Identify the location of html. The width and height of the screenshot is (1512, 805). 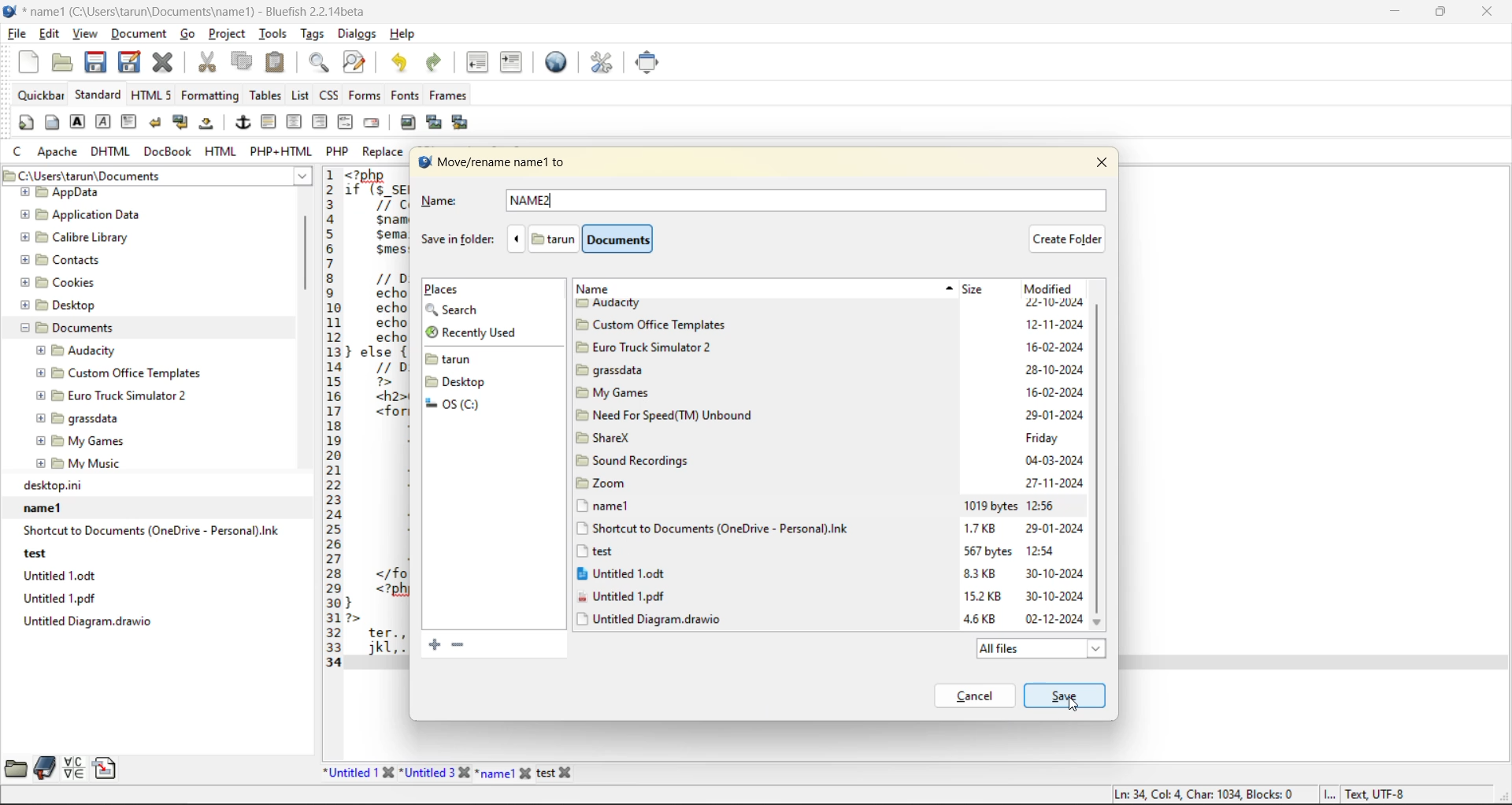
(220, 153).